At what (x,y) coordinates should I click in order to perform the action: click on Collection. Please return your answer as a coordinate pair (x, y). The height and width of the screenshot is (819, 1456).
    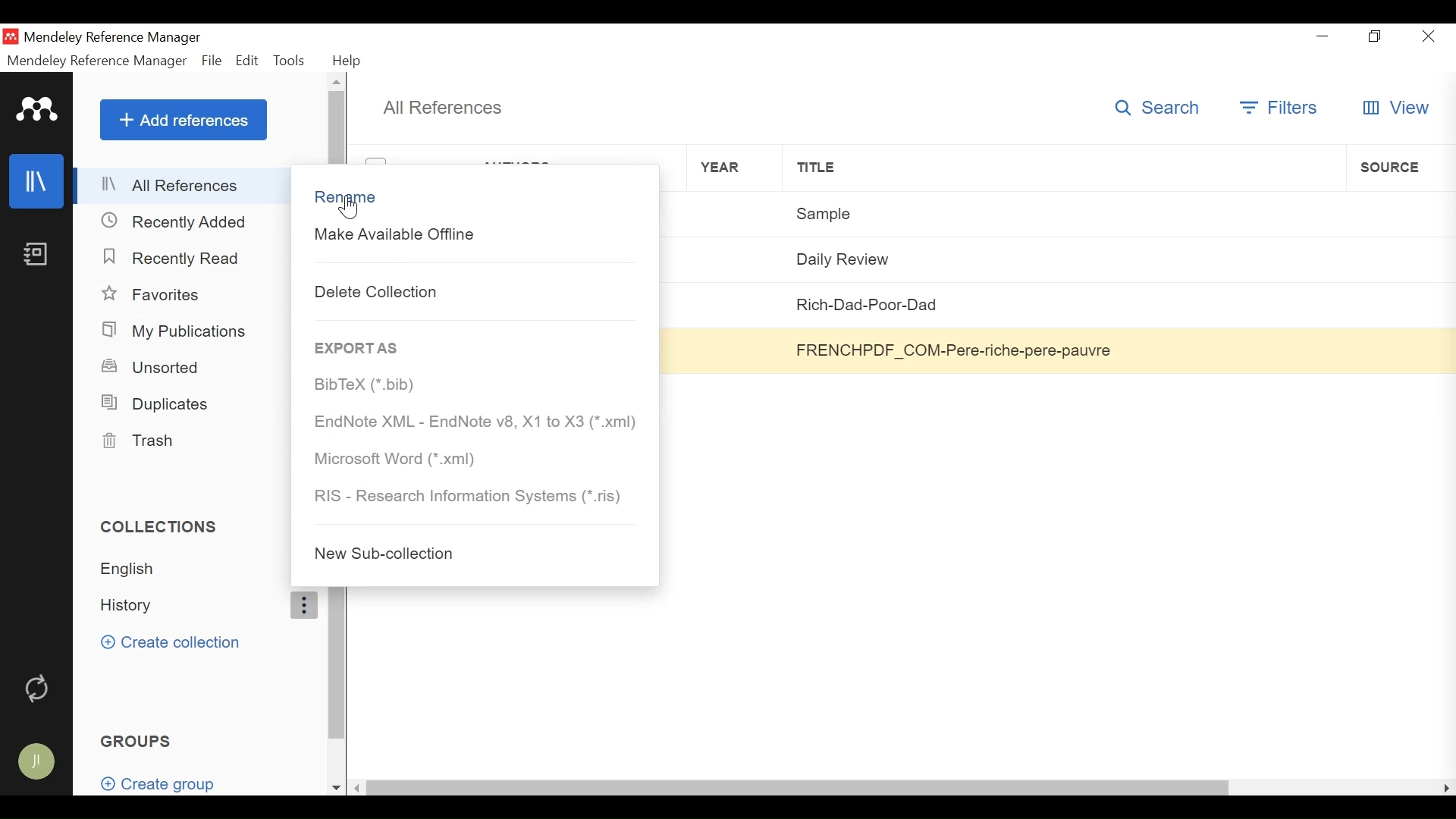
    Looking at the image, I should click on (188, 605).